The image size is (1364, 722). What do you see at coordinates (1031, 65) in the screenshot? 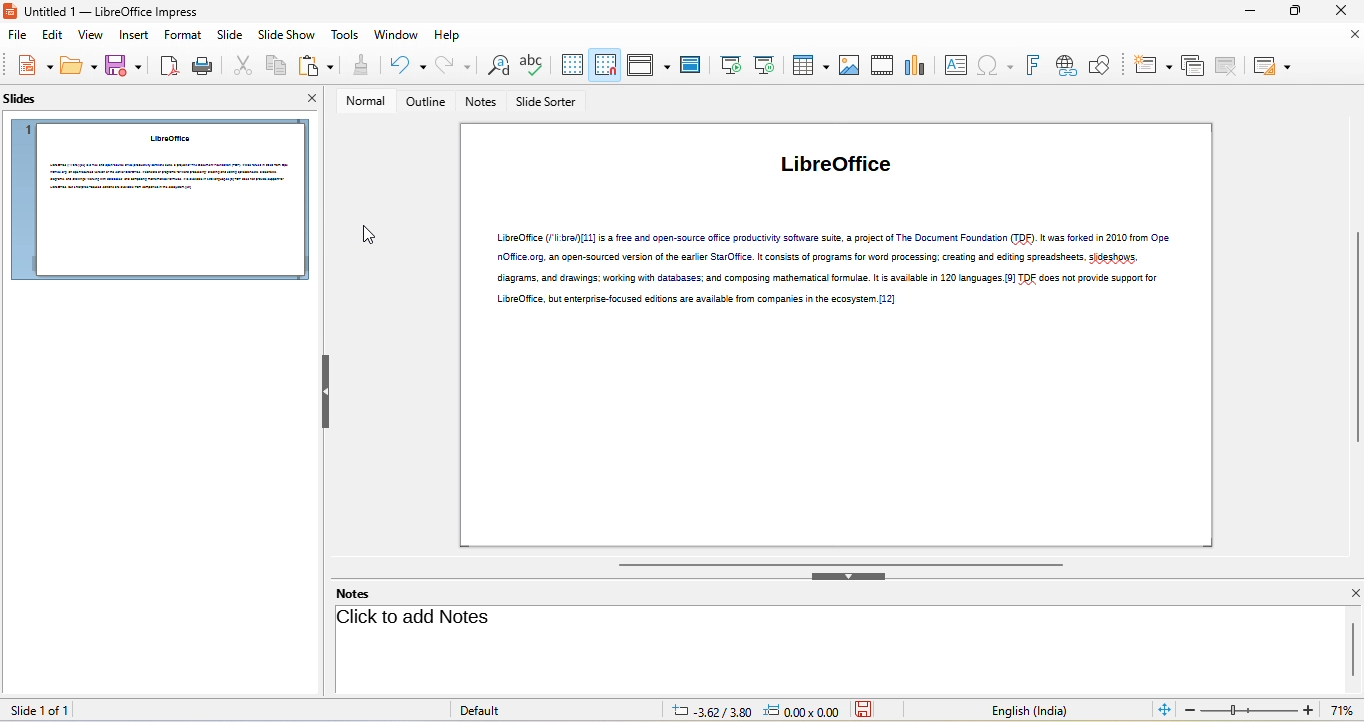
I see `font work text` at bounding box center [1031, 65].